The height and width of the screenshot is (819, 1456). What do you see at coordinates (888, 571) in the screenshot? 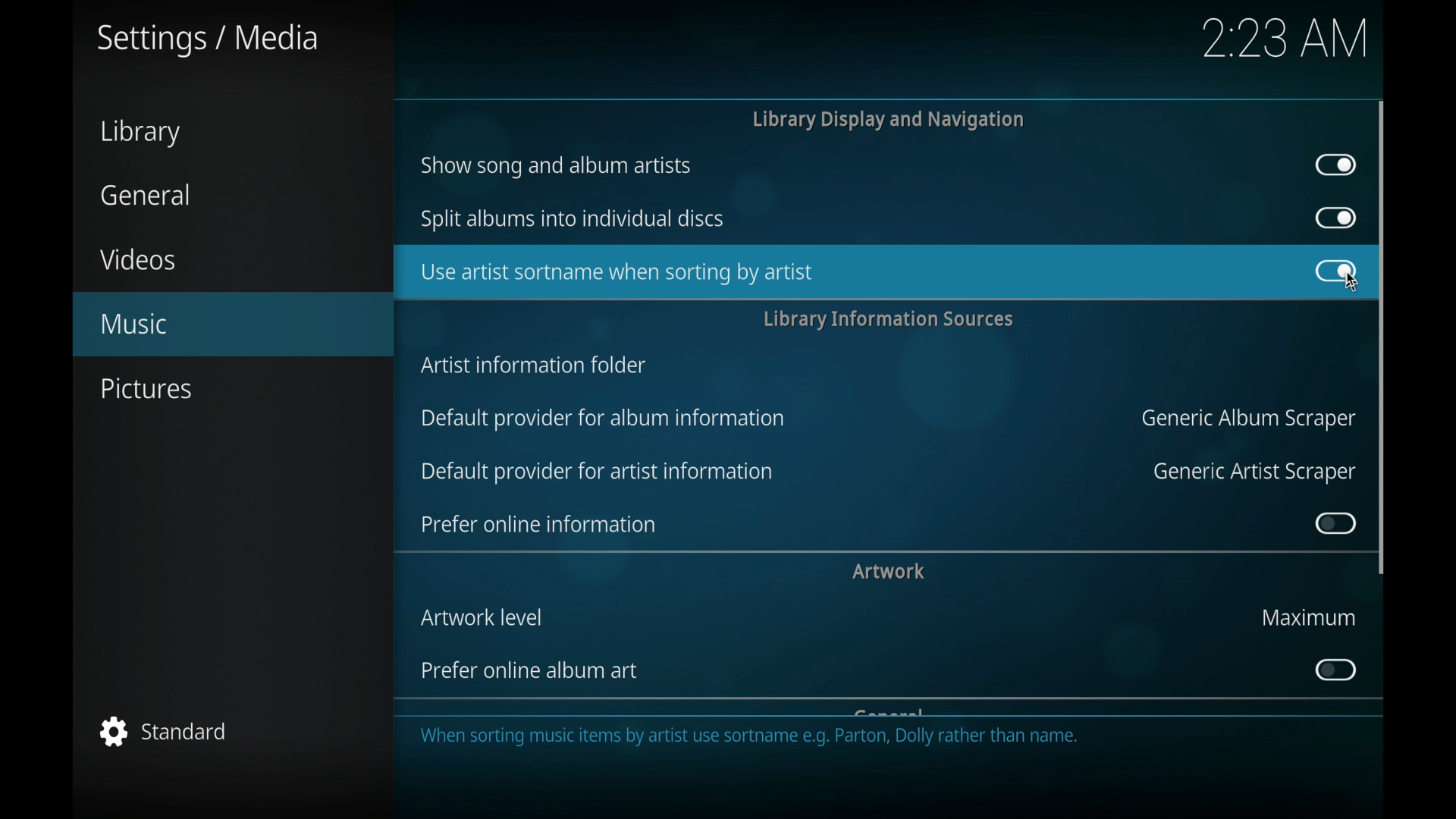
I see `artwork` at bounding box center [888, 571].